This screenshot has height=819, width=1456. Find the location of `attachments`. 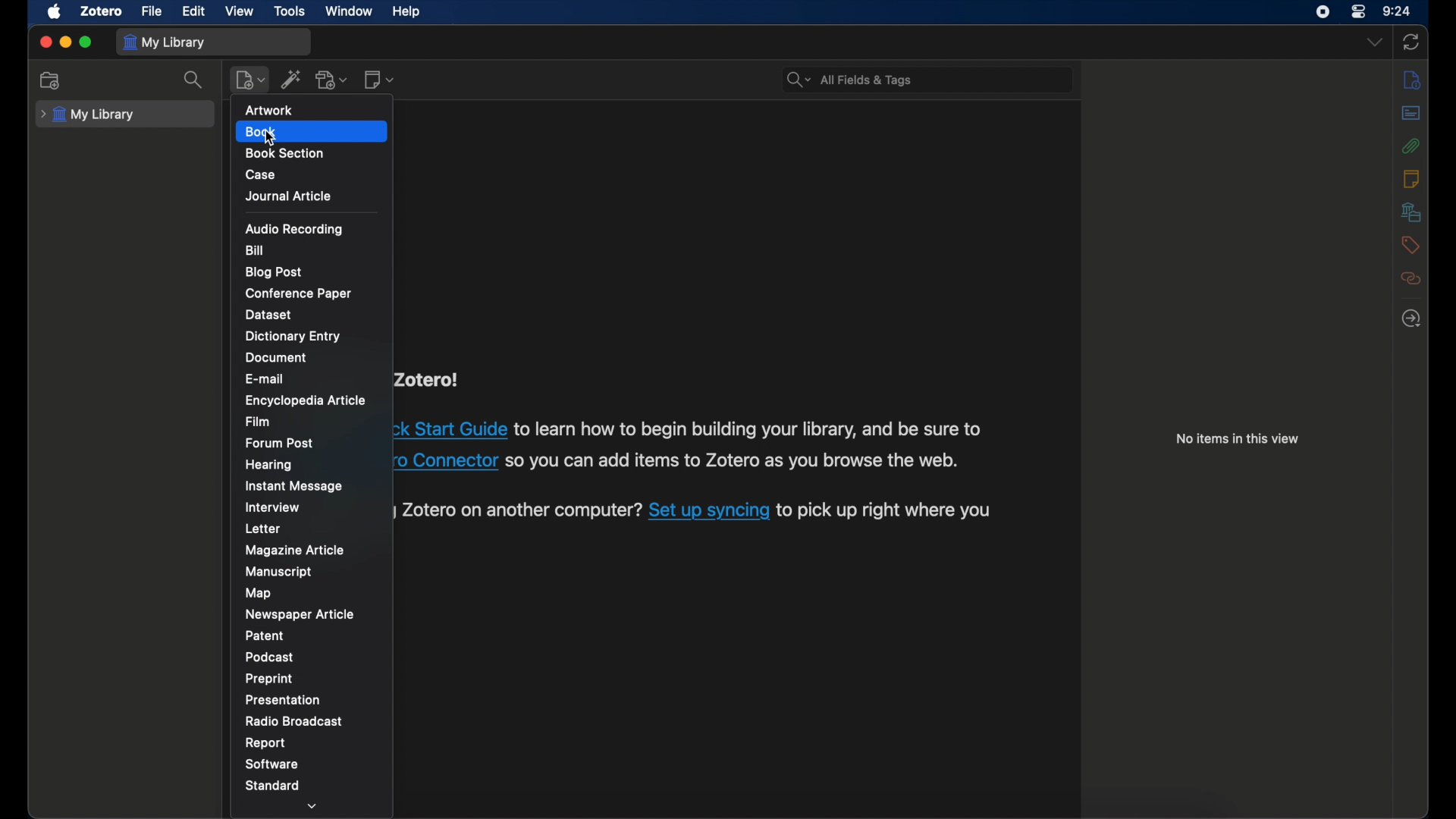

attachments is located at coordinates (1412, 146).